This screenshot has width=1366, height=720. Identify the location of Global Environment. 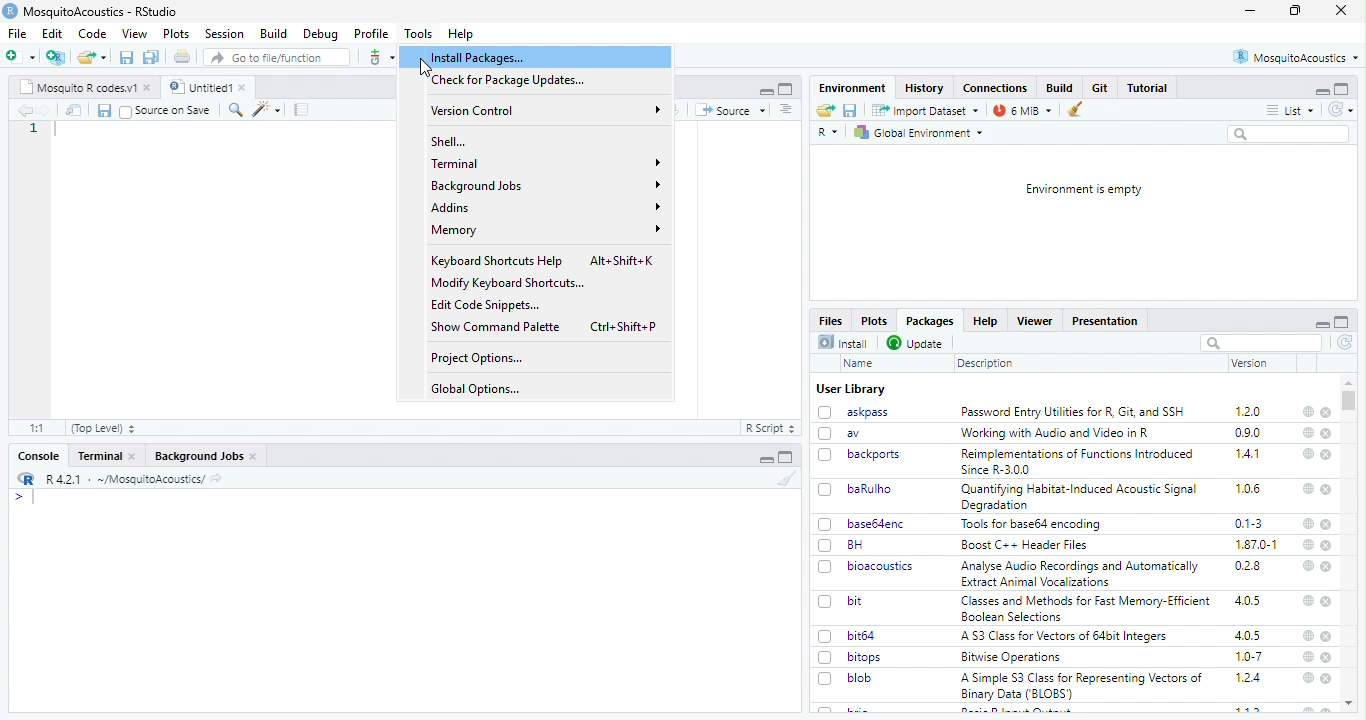
(918, 133).